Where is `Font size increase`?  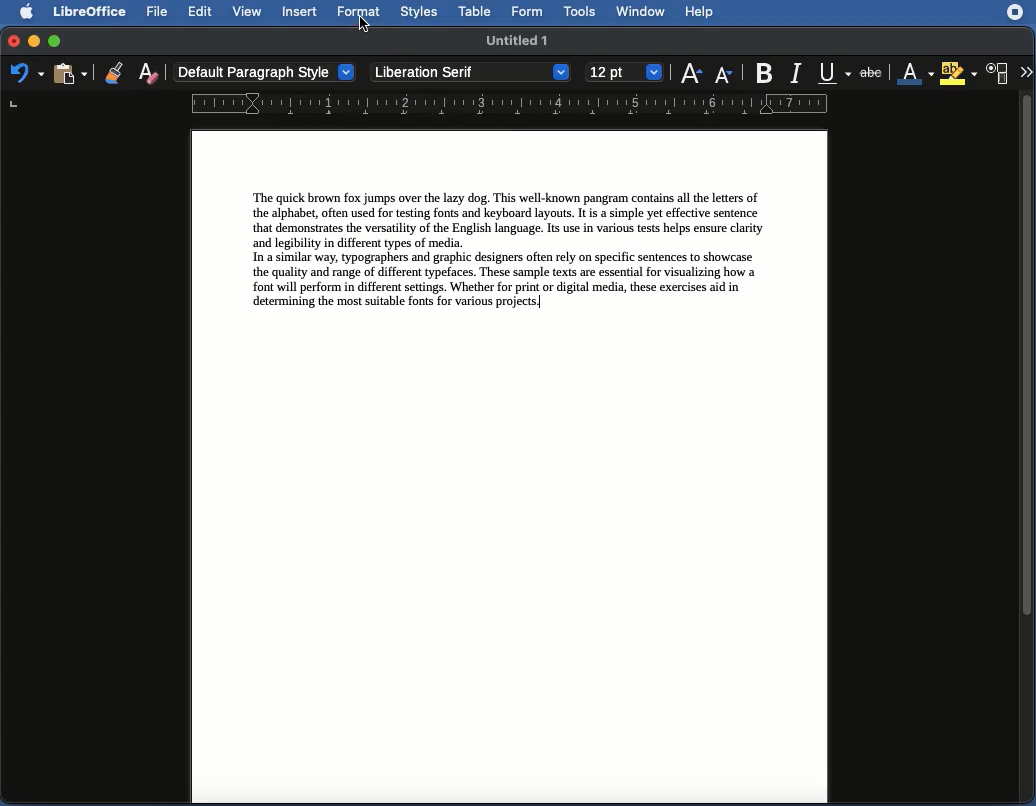
Font size increase is located at coordinates (690, 72).